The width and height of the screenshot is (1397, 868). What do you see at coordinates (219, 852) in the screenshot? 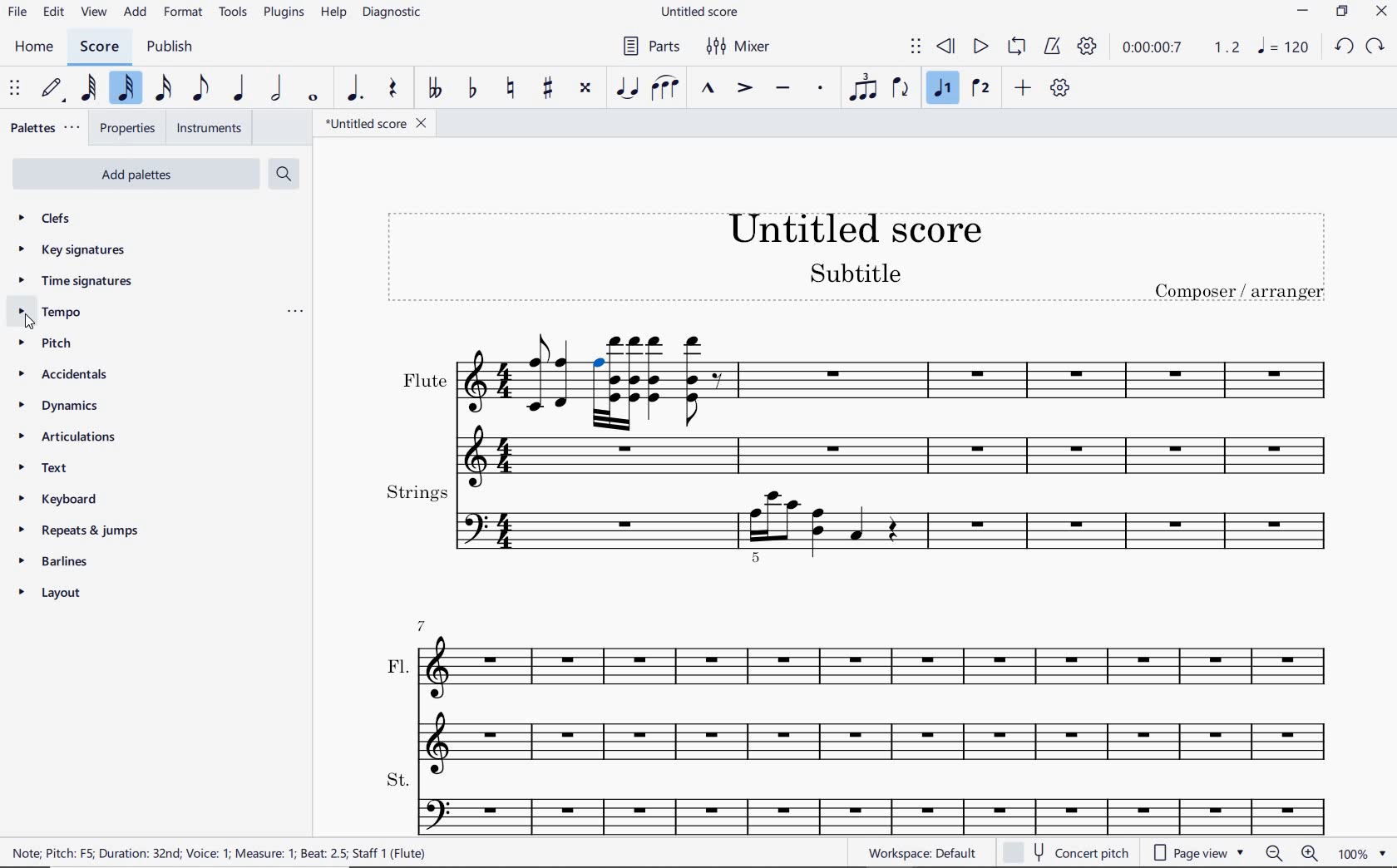
I see `NOTE: PITCH; F5, DURATION` at bounding box center [219, 852].